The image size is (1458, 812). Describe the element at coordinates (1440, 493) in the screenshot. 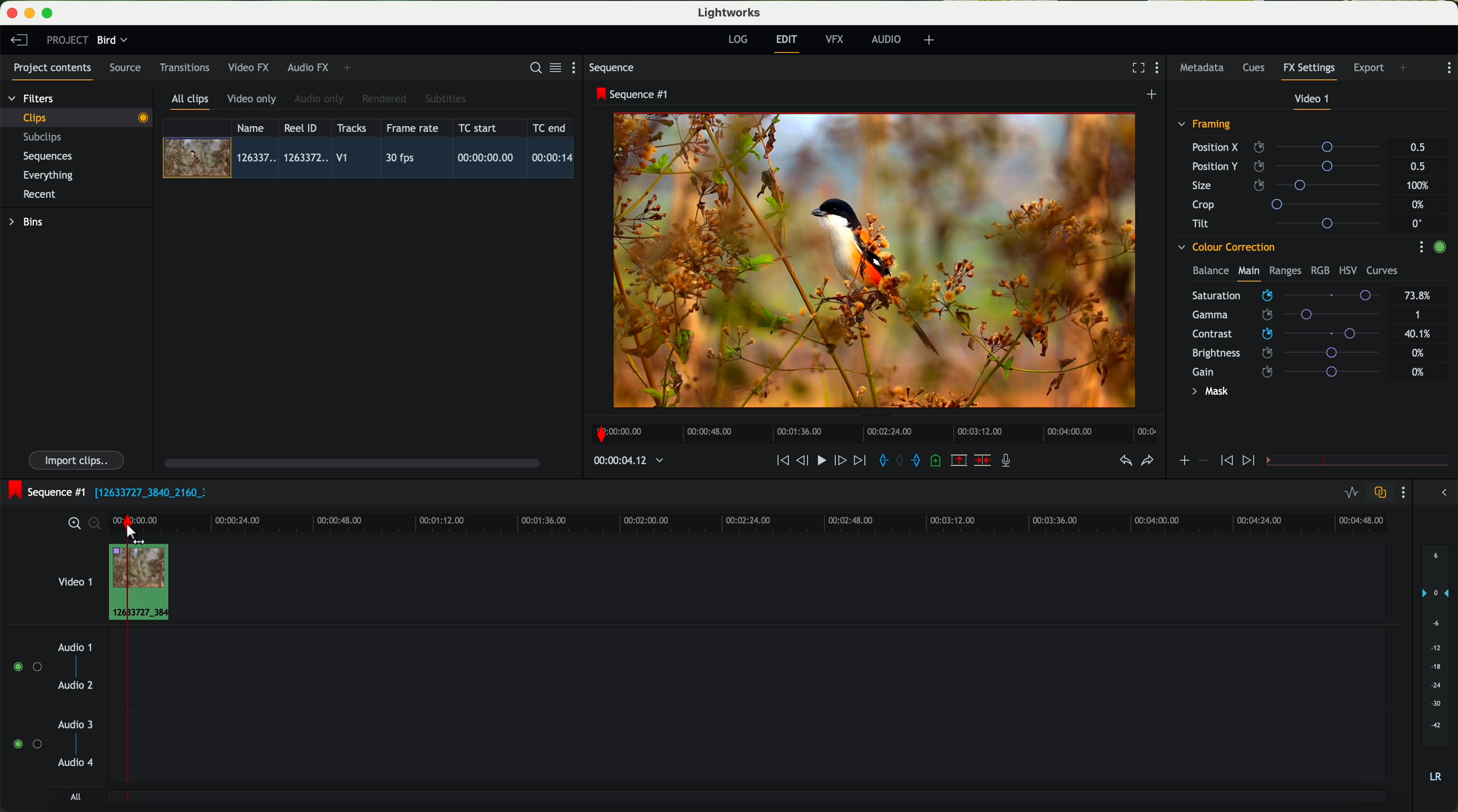

I see `show/hide the full audio mix` at that location.